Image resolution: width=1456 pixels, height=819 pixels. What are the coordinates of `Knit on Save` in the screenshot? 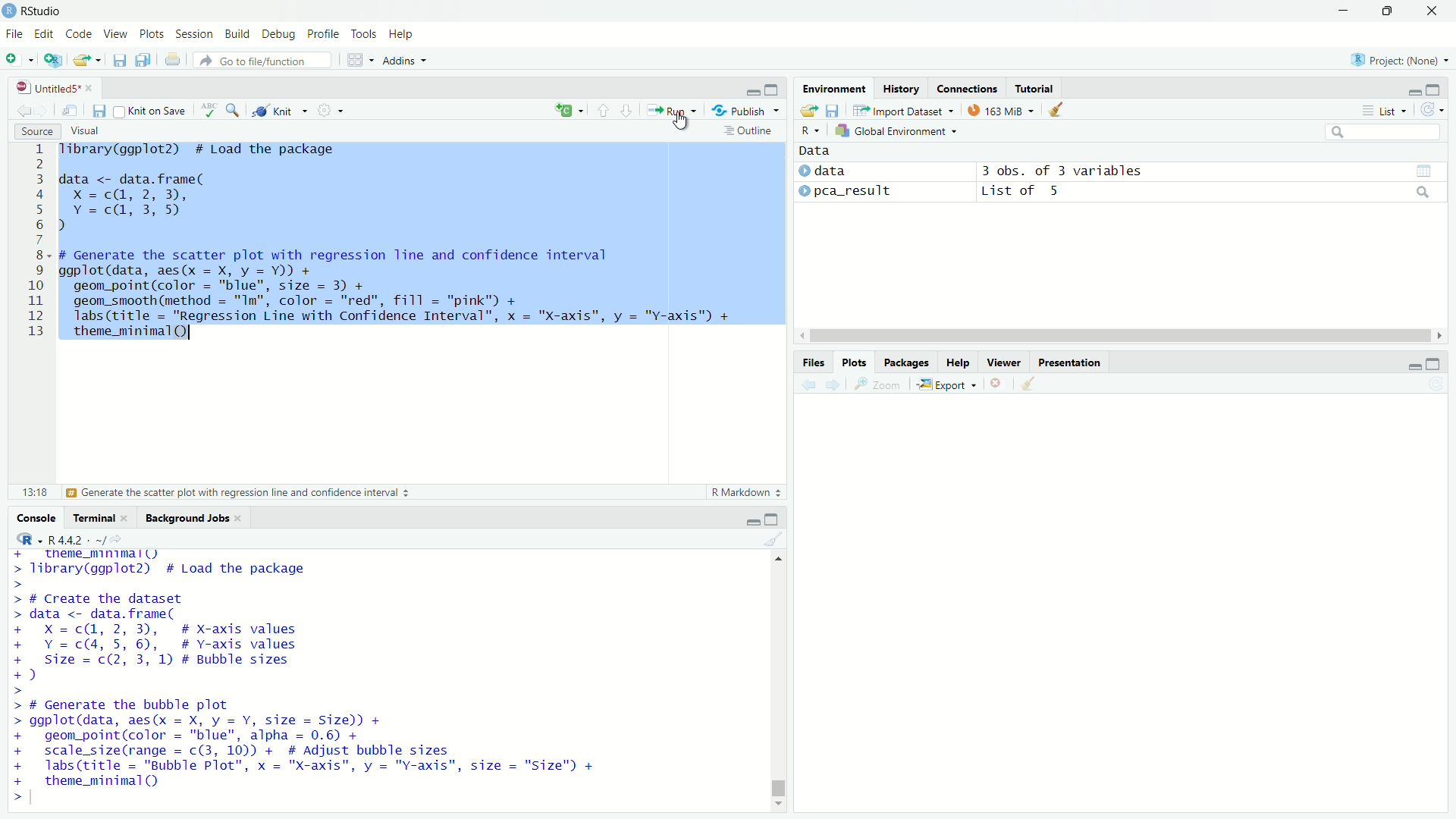 It's located at (151, 110).